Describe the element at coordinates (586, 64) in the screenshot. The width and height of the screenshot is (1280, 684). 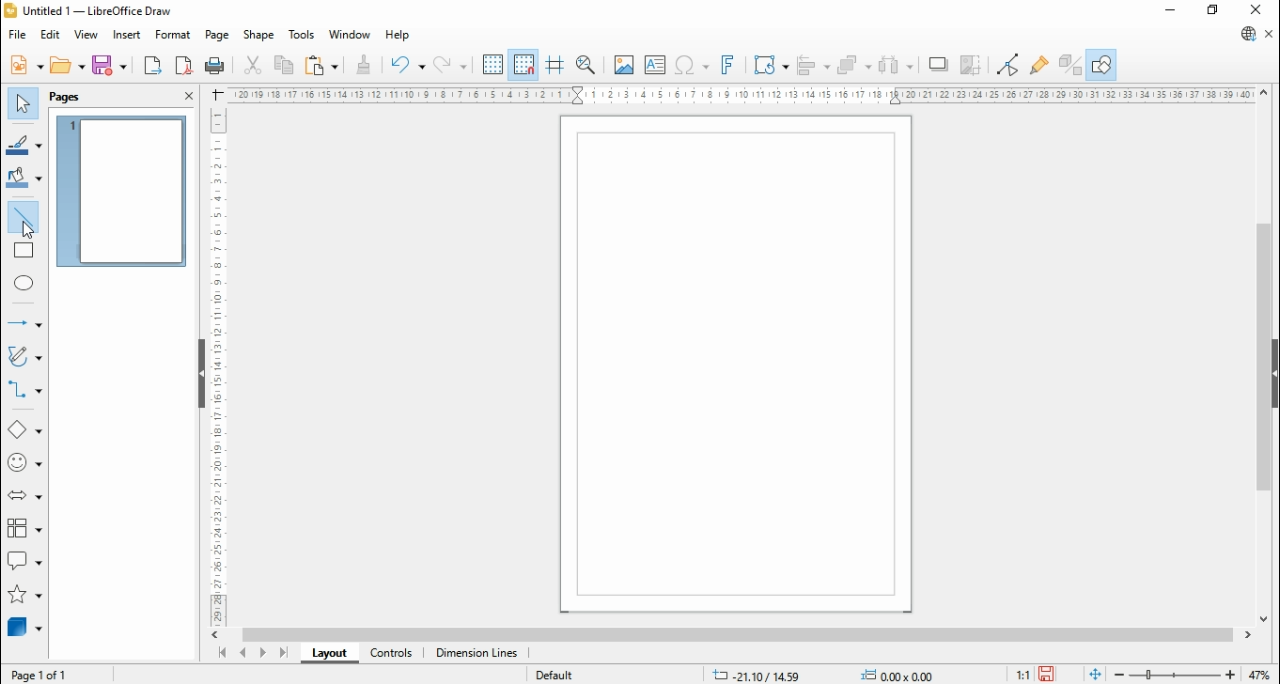
I see `pan and zoom` at that location.